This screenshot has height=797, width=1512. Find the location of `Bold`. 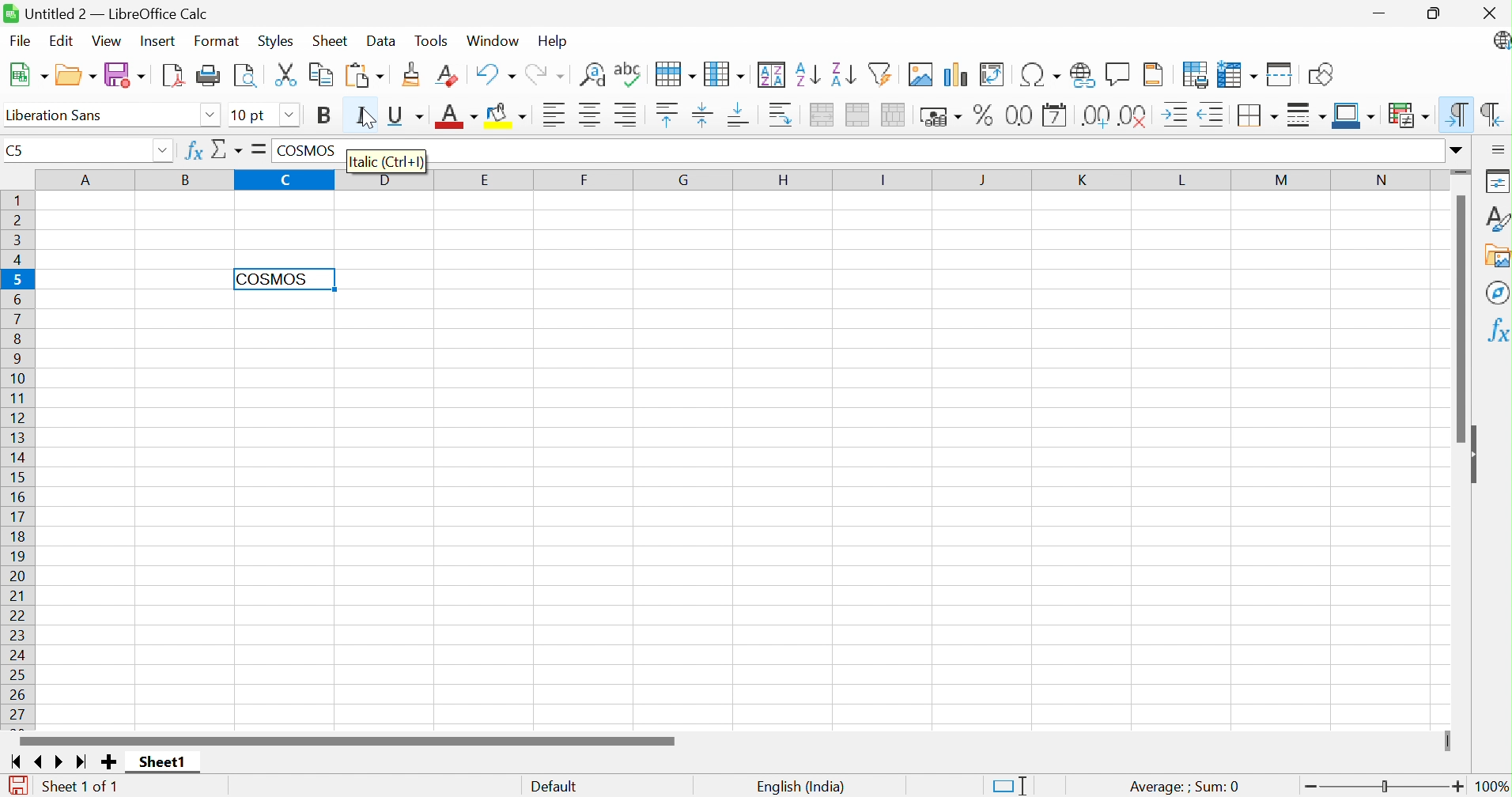

Bold is located at coordinates (325, 115).